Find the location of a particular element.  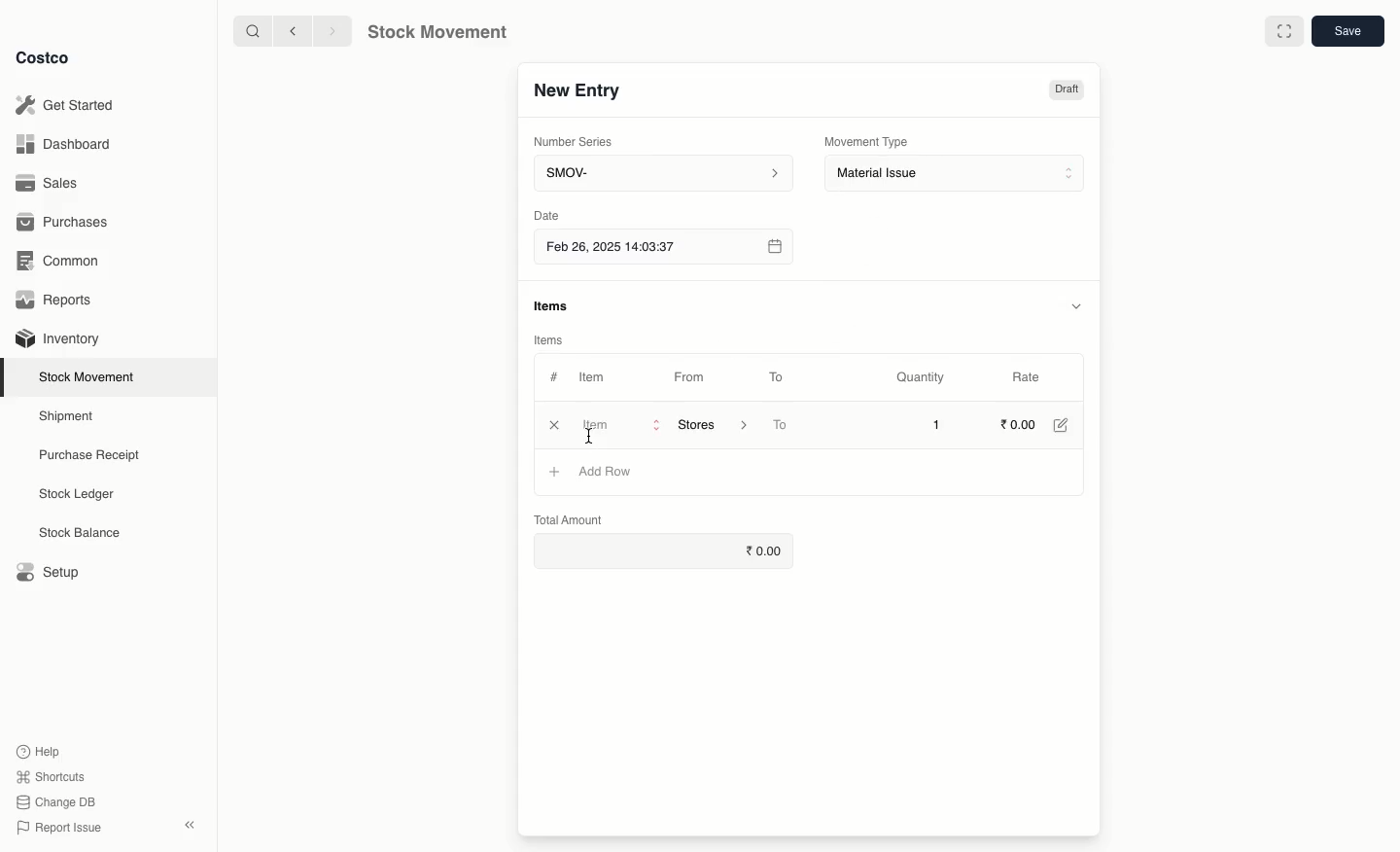

Purchases is located at coordinates (66, 224).